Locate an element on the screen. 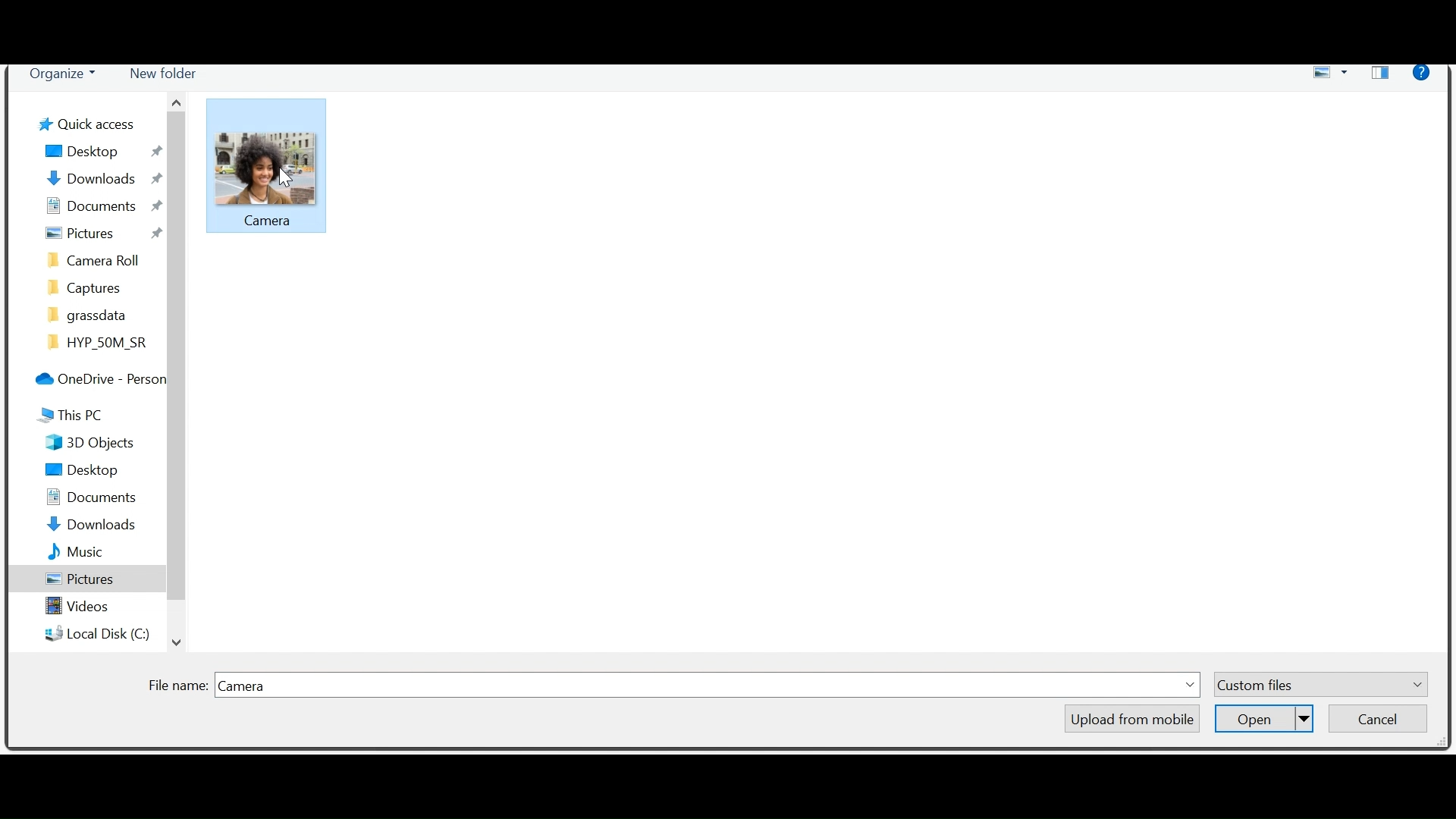  Desktop is located at coordinates (89, 470).